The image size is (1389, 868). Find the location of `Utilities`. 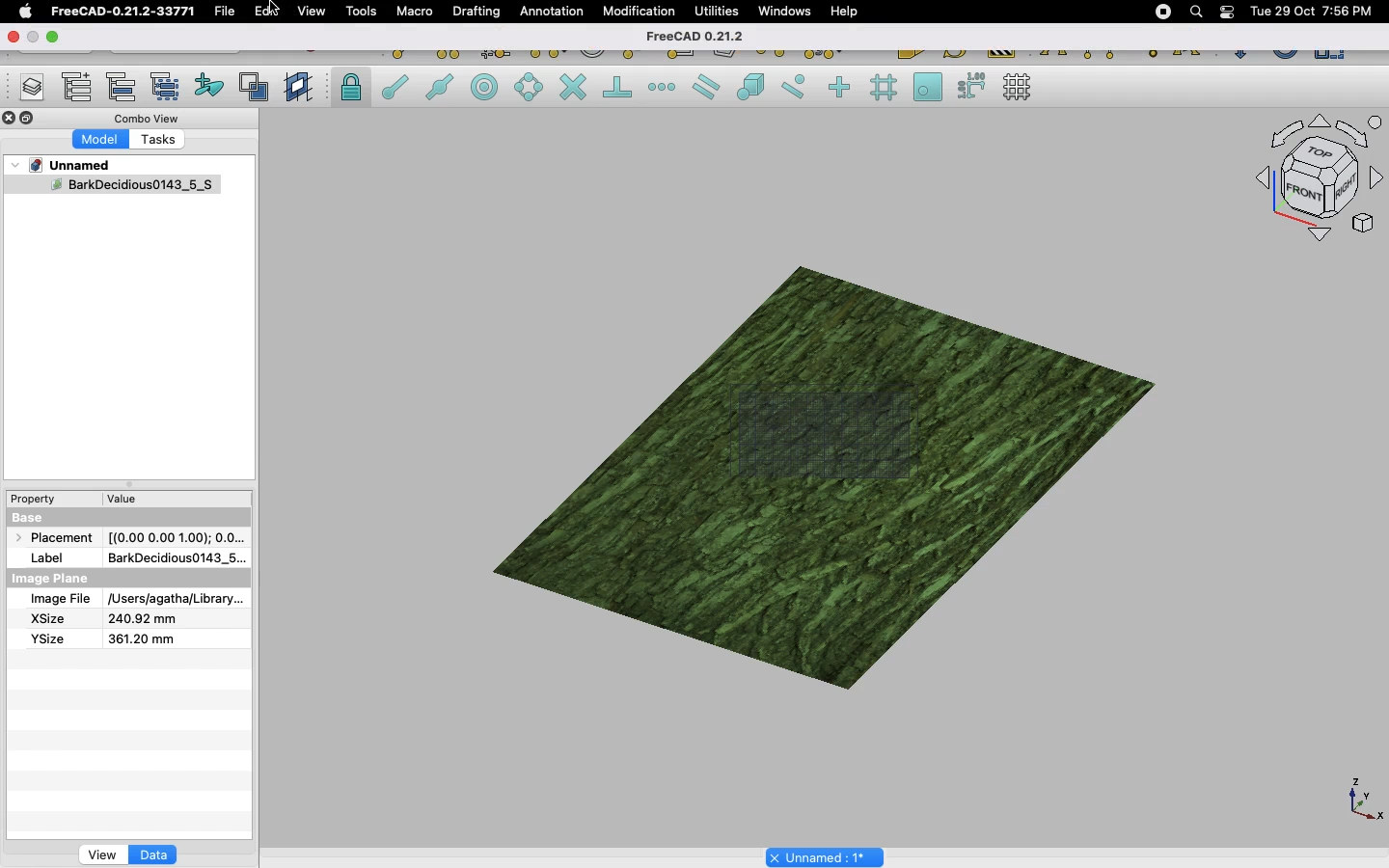

Utilities is located at coordinates (717, 12).